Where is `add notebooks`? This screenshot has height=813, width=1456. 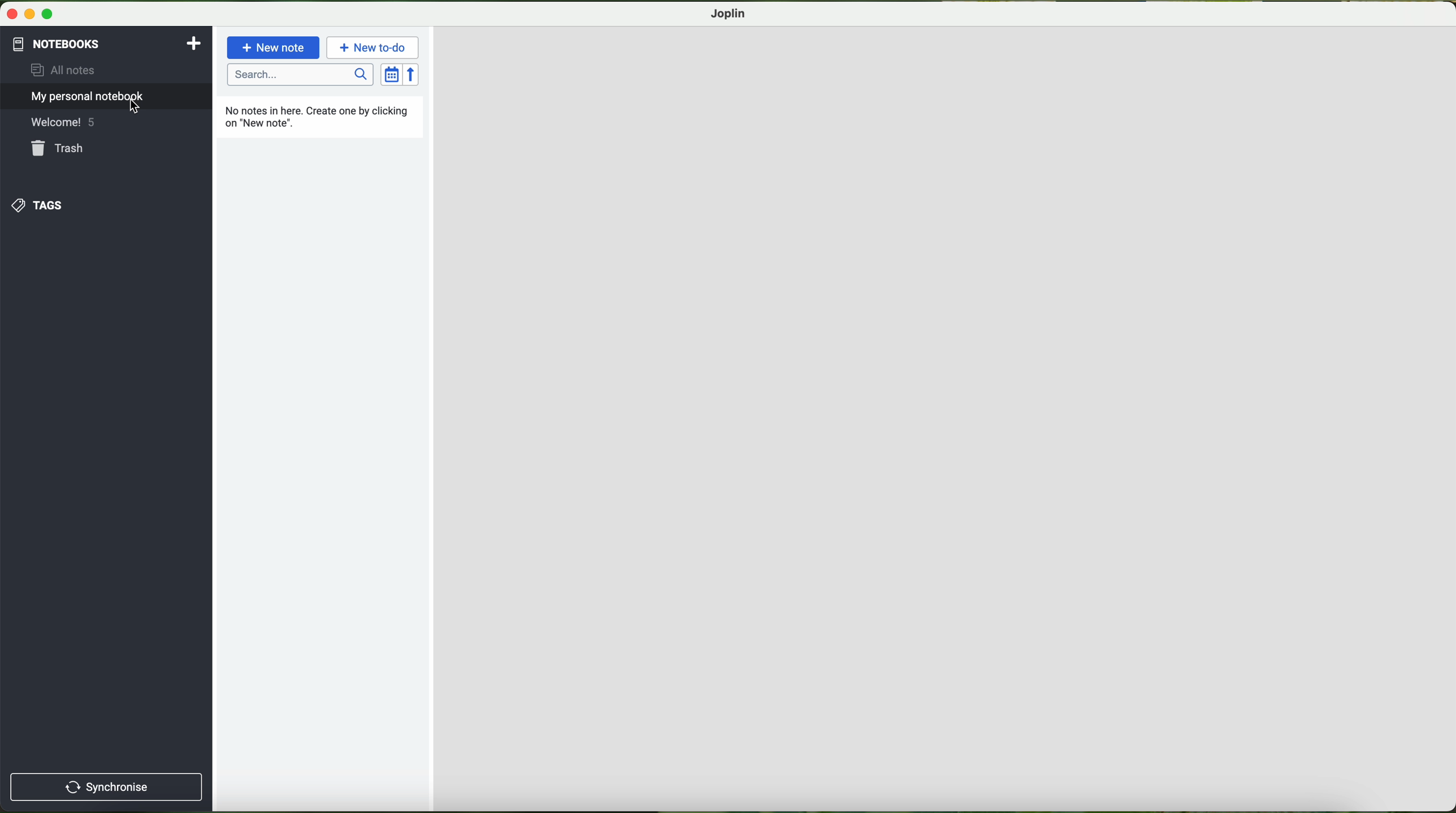
add notebooks is located at coordinates (192, 42).